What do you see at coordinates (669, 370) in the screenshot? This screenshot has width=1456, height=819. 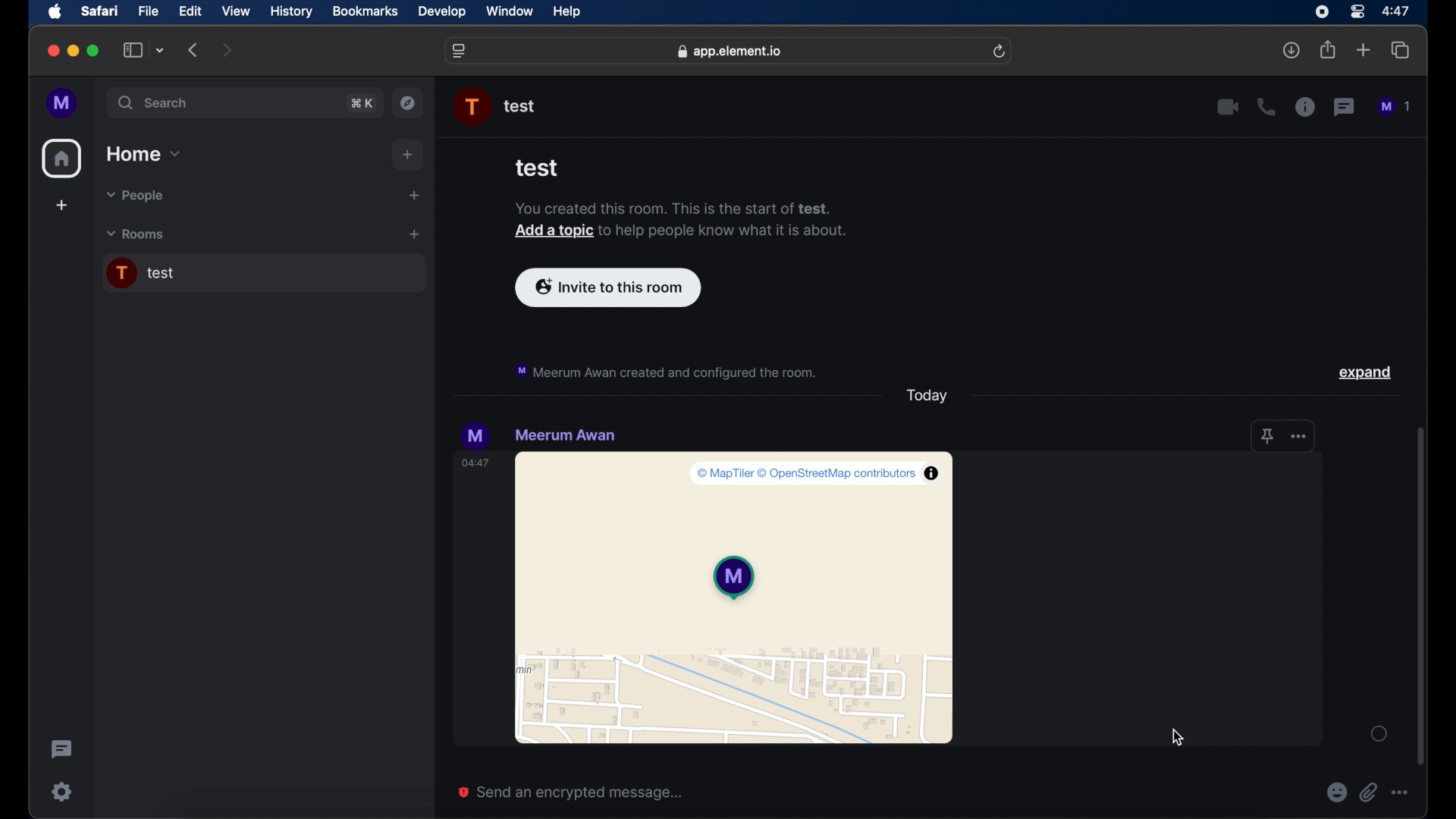 I see `‘™ Meerum Awan created and configured the room.` at bounding box center [669, 370].